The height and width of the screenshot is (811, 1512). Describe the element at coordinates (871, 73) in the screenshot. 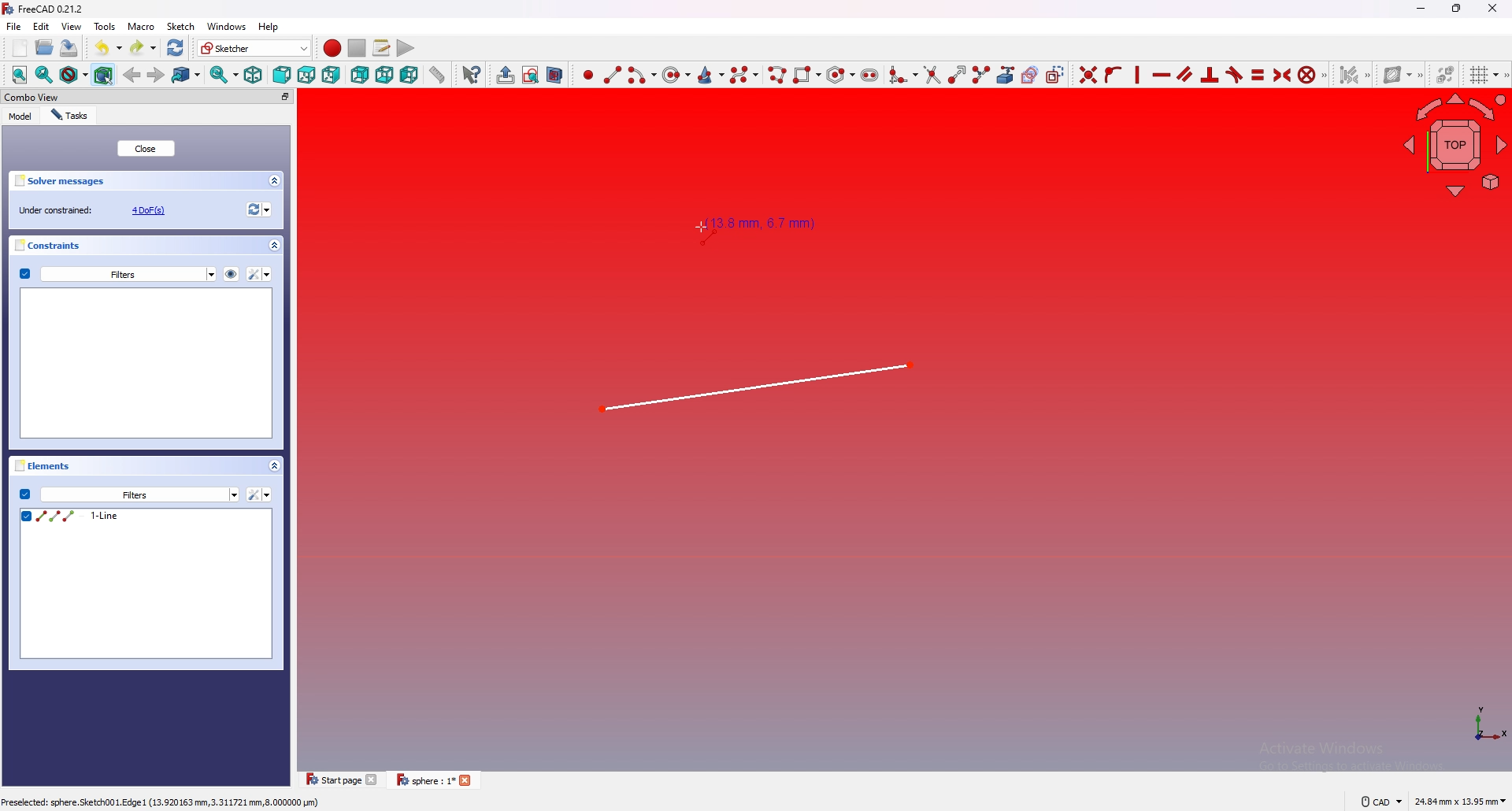

I see `Create slot` at that location.